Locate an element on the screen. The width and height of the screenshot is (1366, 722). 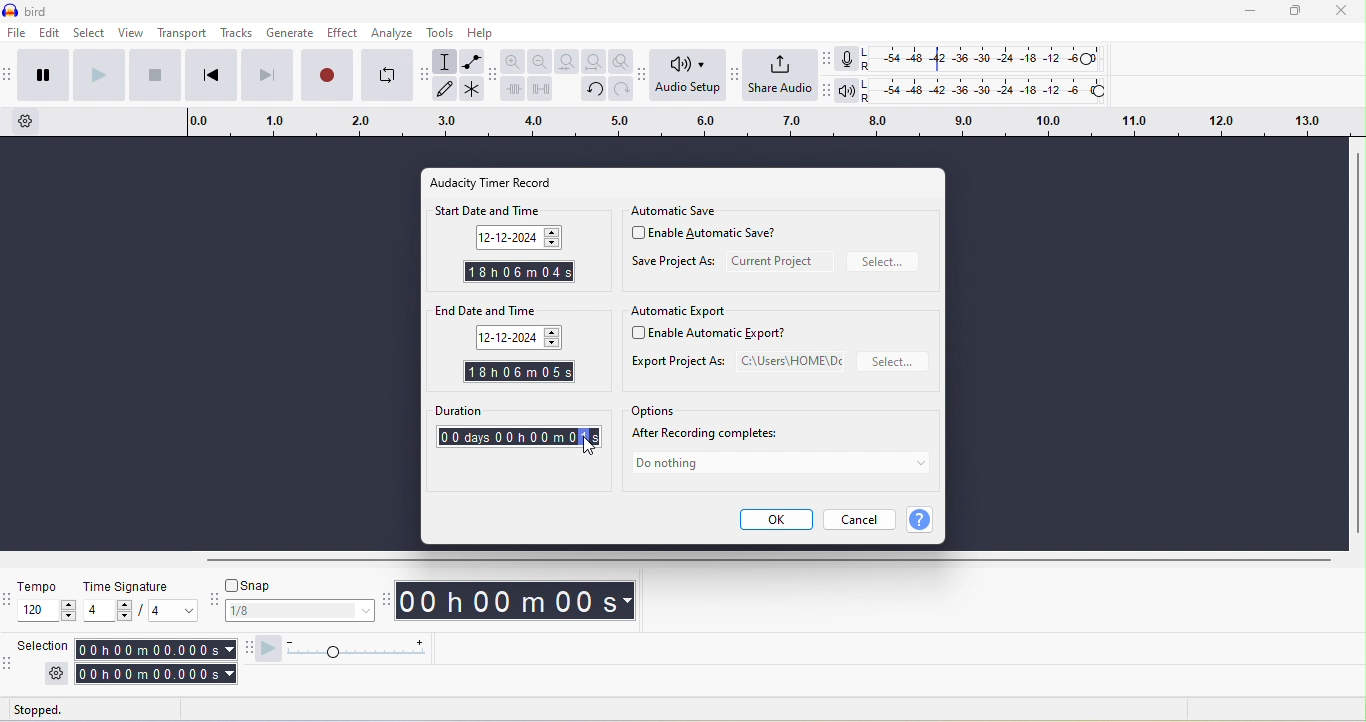
pause is located at coordinates (41, 74).